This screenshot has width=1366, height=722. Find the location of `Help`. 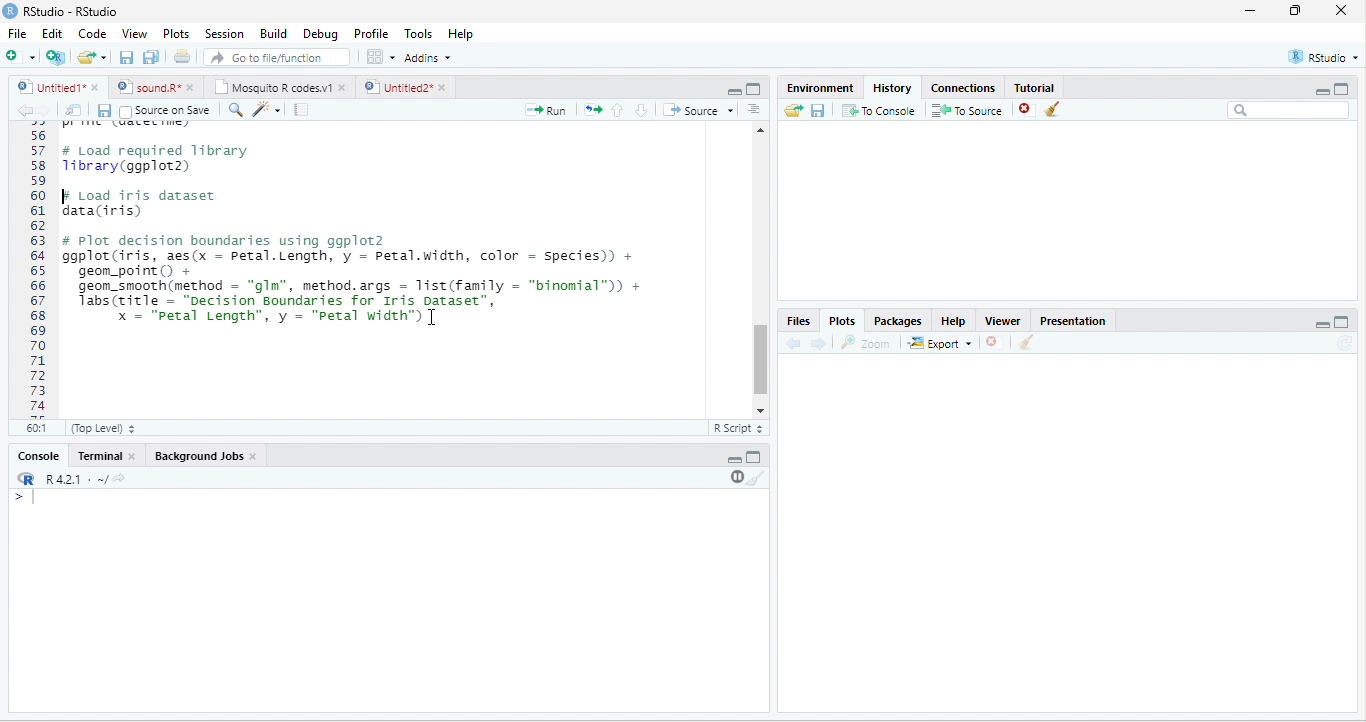

Help is located at coordinates (463, 35).